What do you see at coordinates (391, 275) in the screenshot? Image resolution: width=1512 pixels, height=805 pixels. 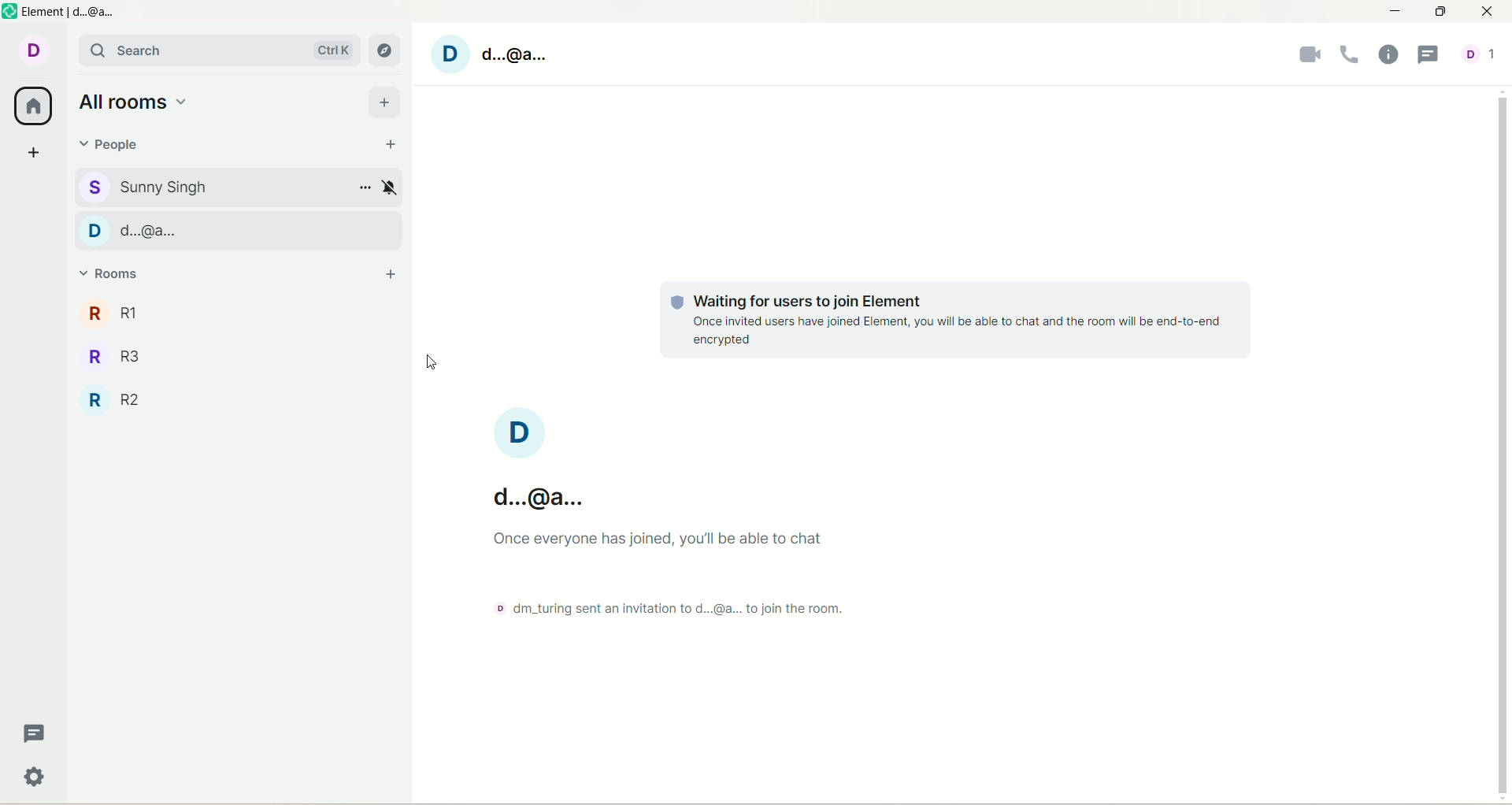 I see `add` at bounding box center [391, 275].